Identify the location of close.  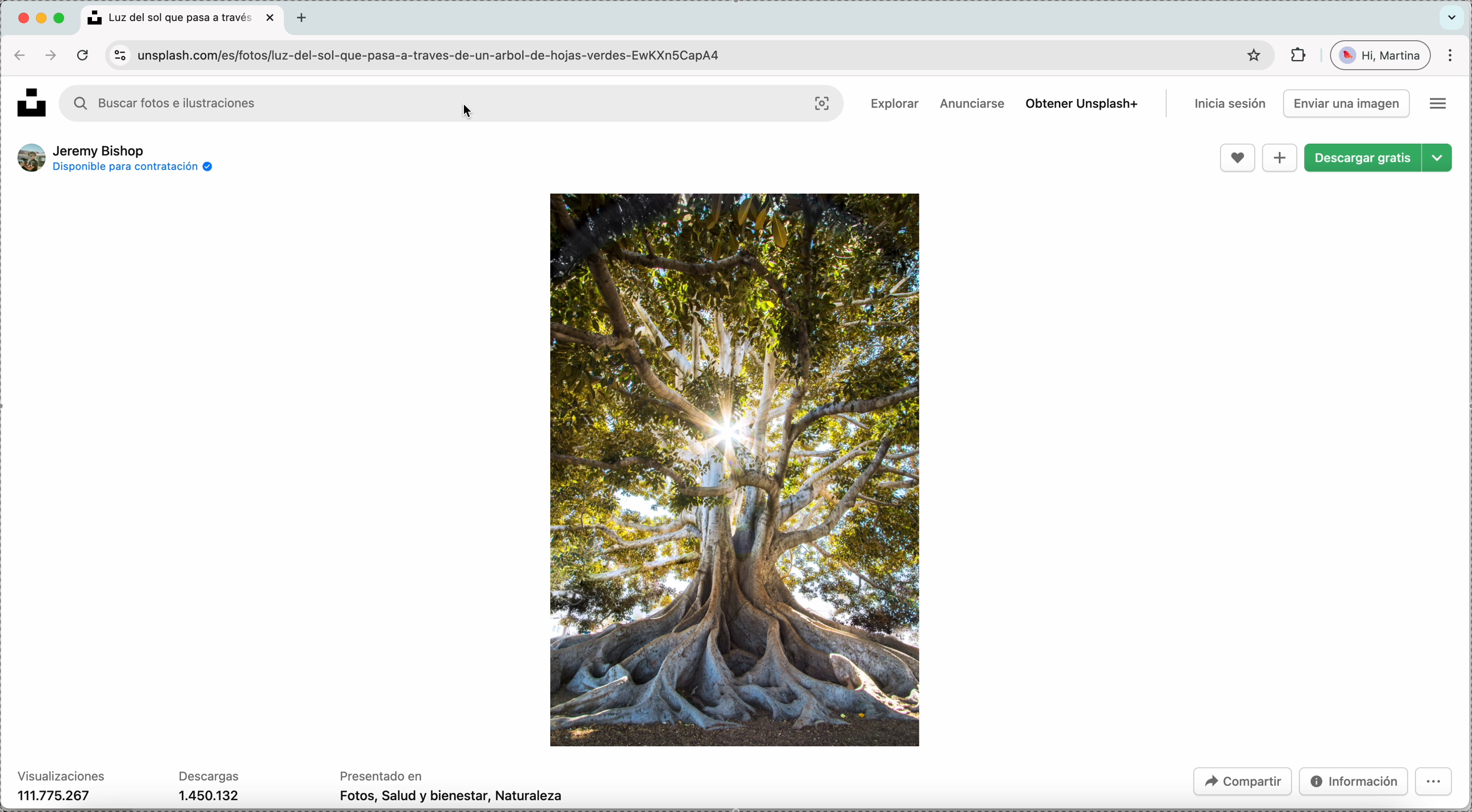
(273, 18).